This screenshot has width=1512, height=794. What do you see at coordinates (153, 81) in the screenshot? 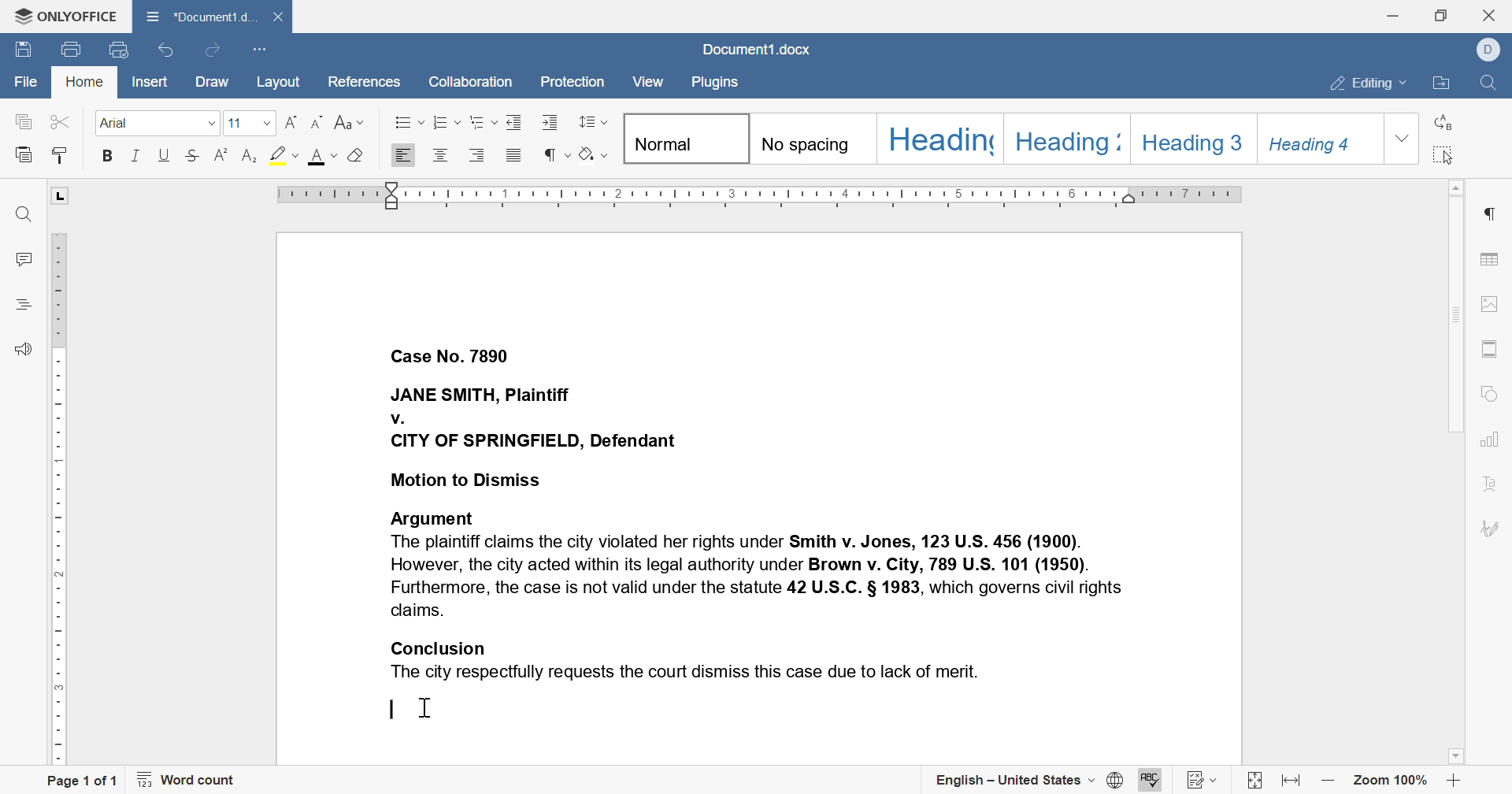
I see `insert` at bounding box center [153, 81].